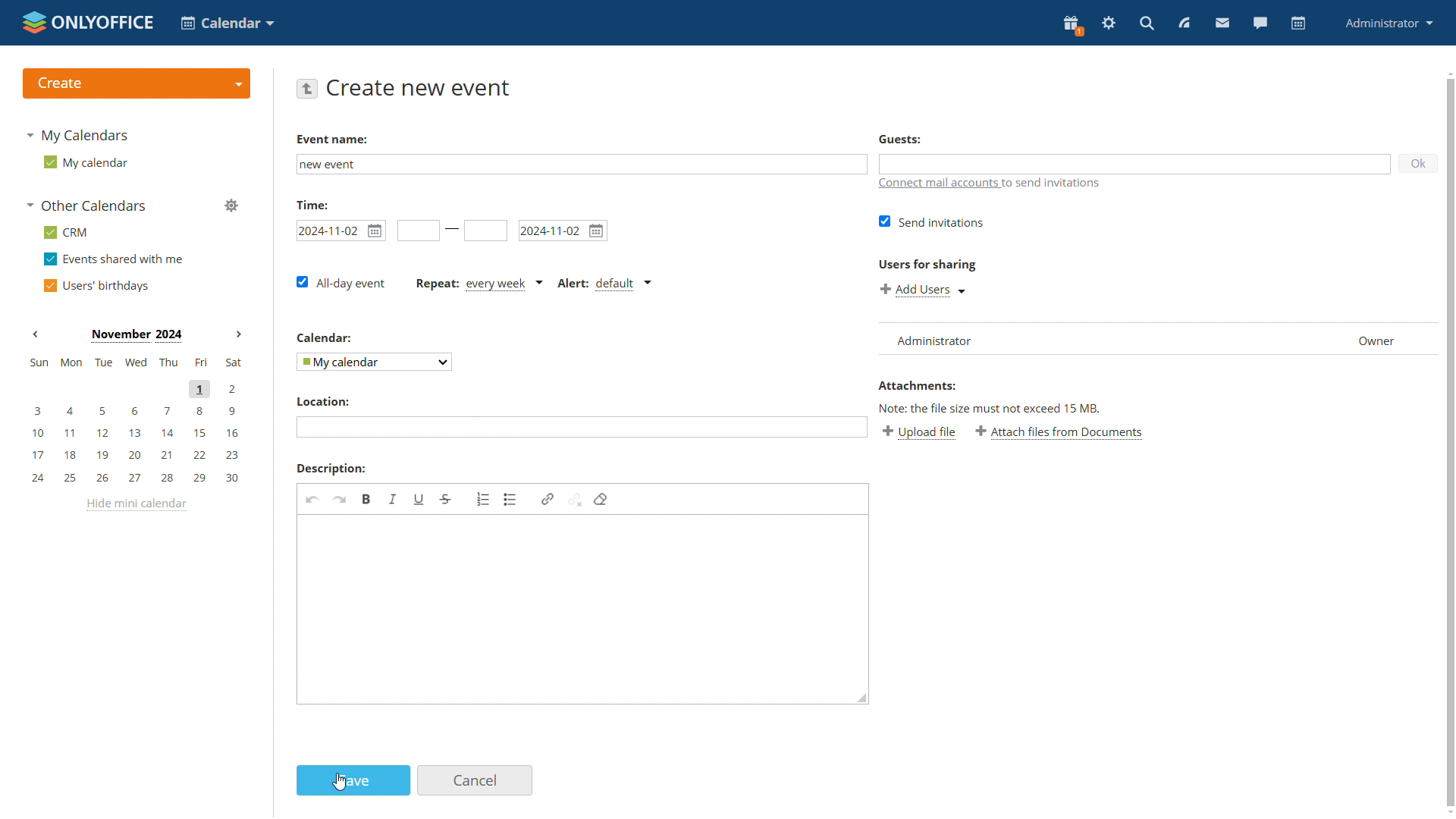  I want to click on Note: the file size must not exceed 15 mb, so click(990, 408).